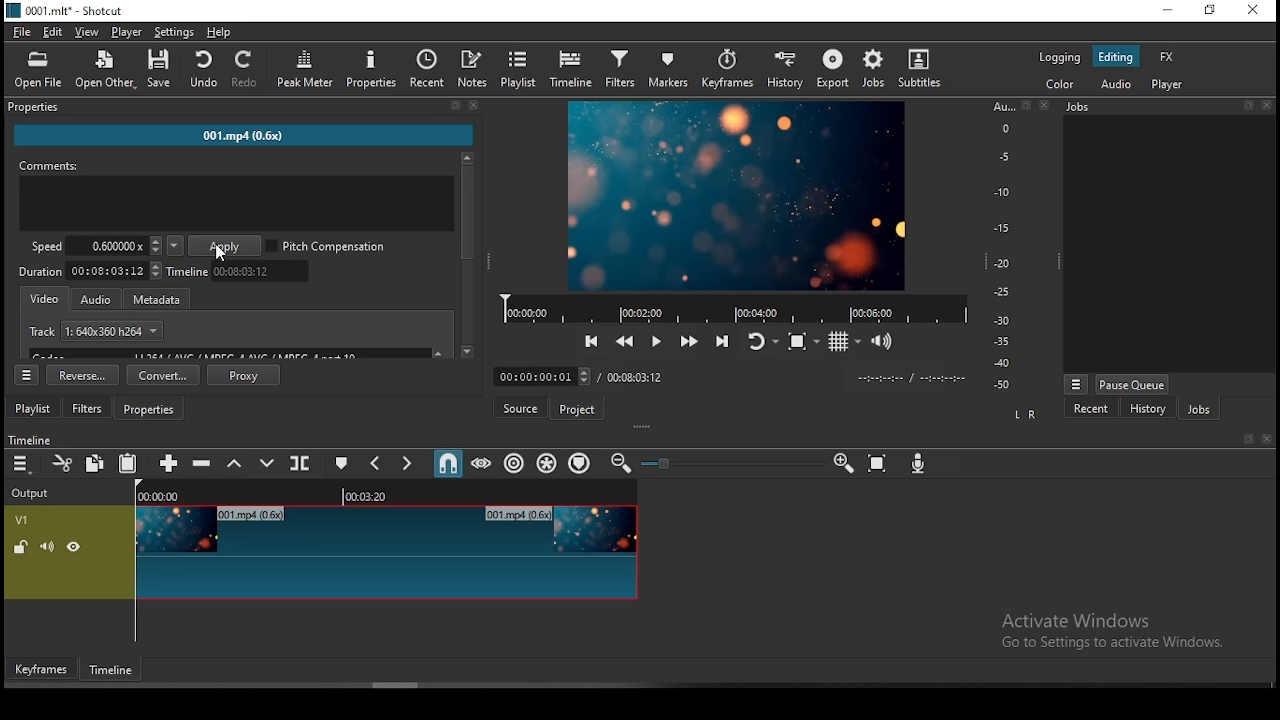 The height and width of the screenshot is (720, 1280). What do you see at coordinates (1268, 438) in the screenshot?
I see `close` at bounding box center [1268, 438].